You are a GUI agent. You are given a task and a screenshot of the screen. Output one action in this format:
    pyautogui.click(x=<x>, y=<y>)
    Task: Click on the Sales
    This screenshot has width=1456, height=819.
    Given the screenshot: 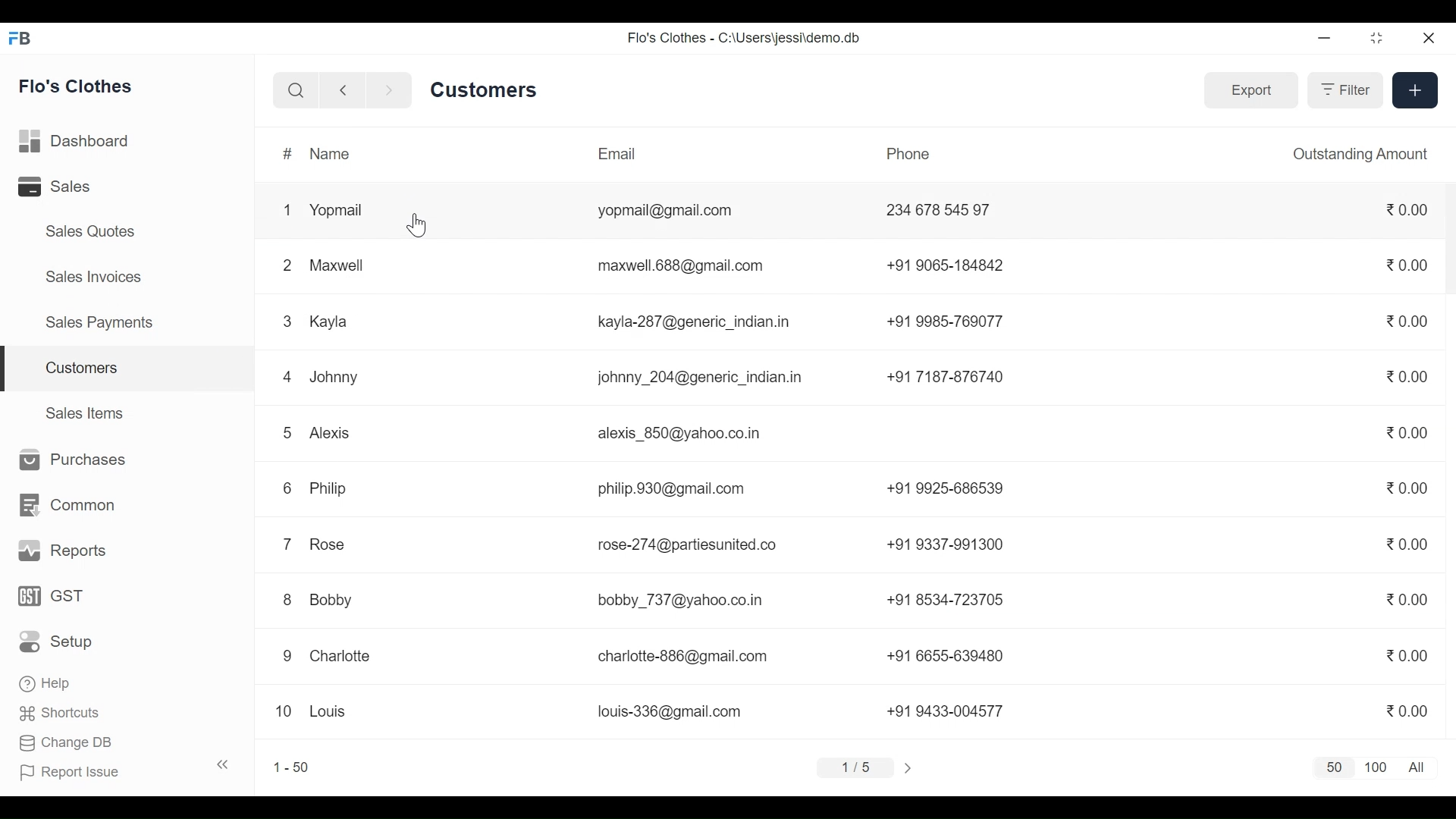 What is the action you would take?
    pyautogui.click(x=75, y=186)
    